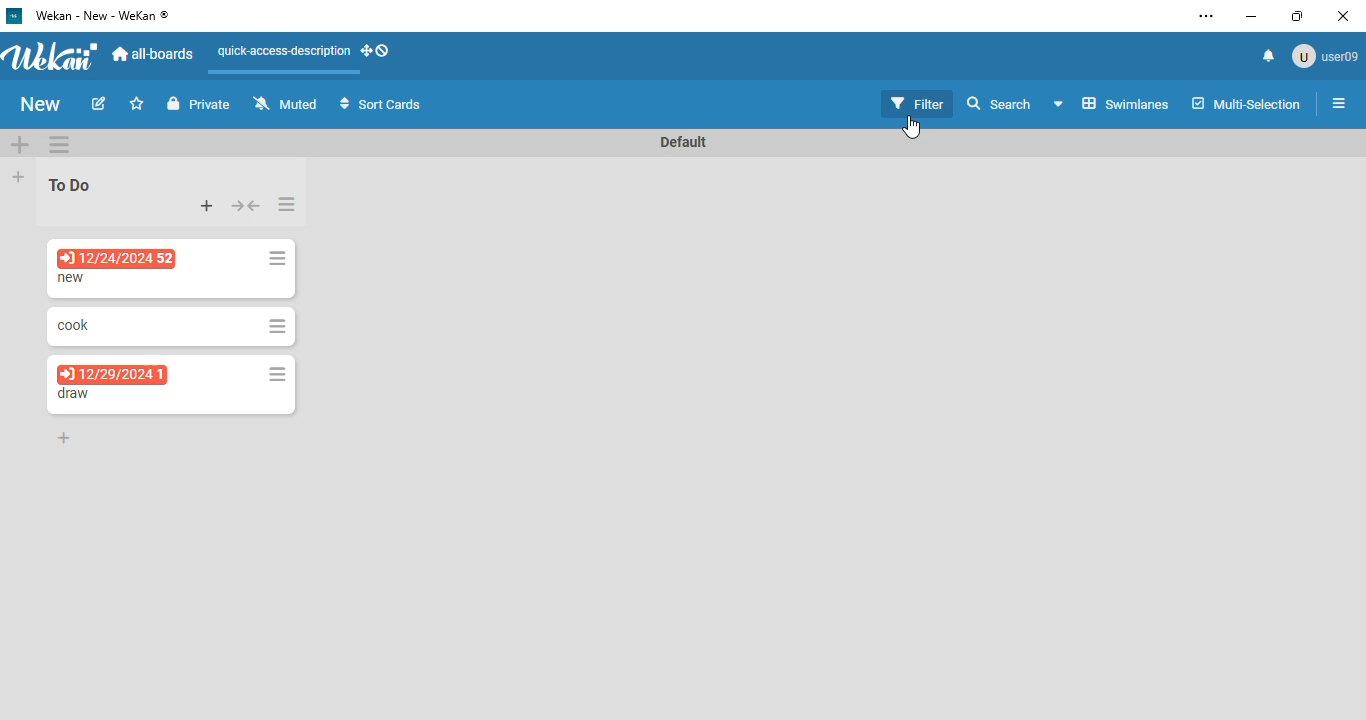 The height and width of the screenshot is (720, 1366). I want to click on add card to bottom of the list, so click(64, 438).